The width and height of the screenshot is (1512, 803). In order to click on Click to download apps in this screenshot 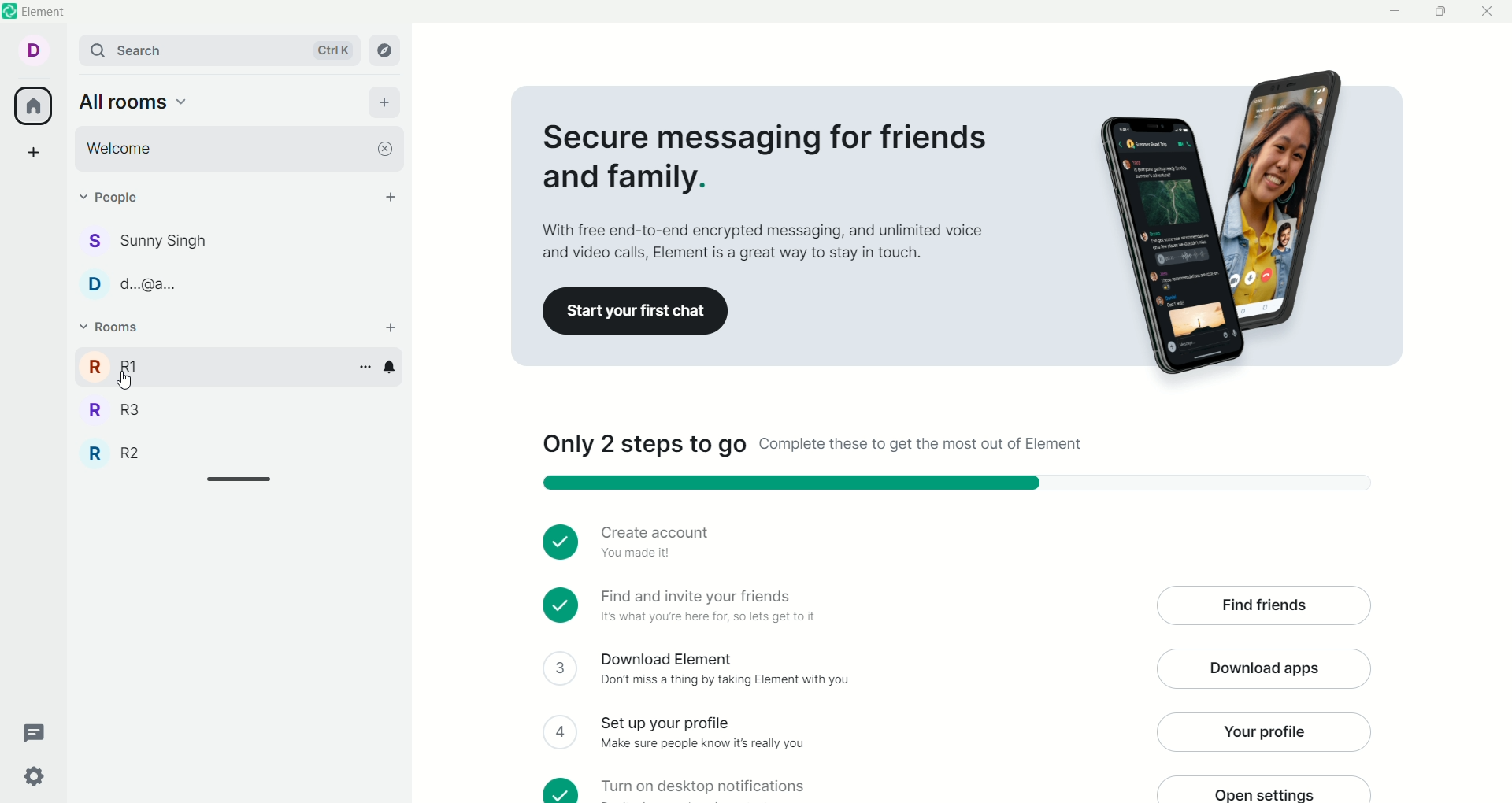, I will do `click(1263, 669)`.